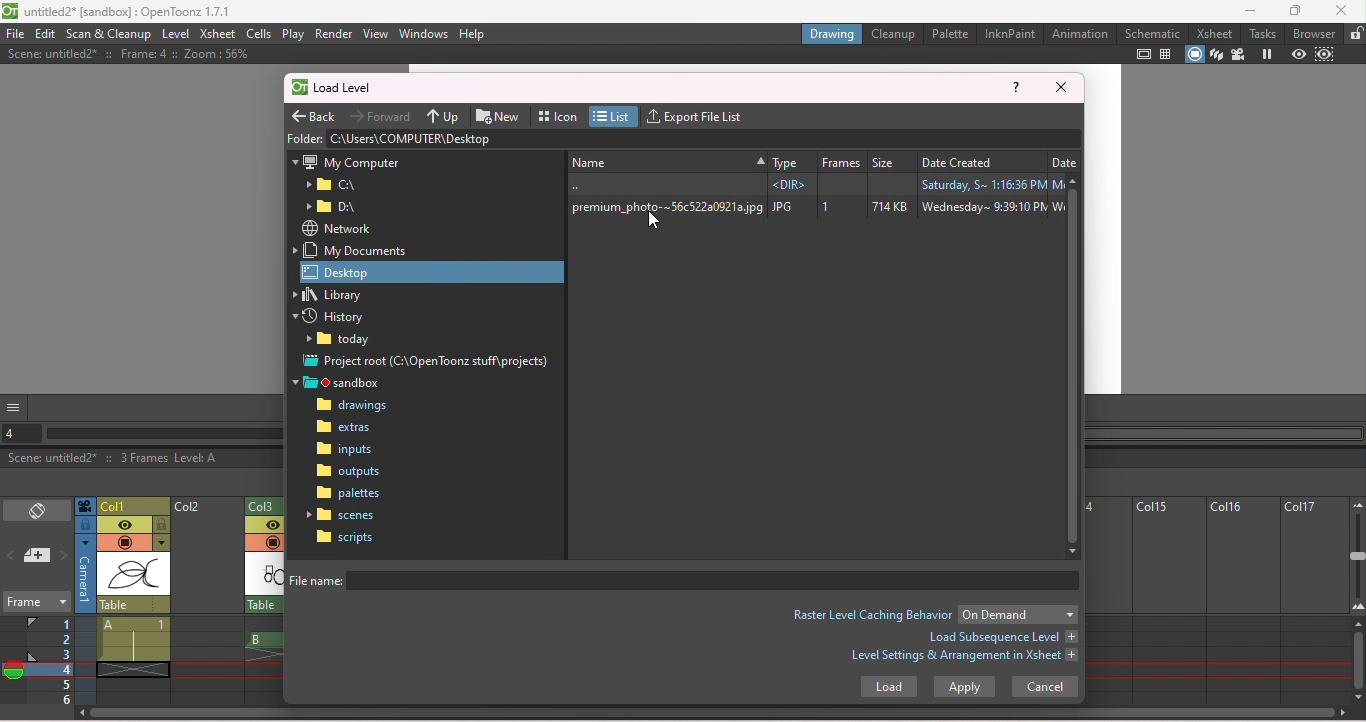  Describe the element at coordinates (164, 434) in the screenshot. I see `Horizontal scroll bar` at that location.